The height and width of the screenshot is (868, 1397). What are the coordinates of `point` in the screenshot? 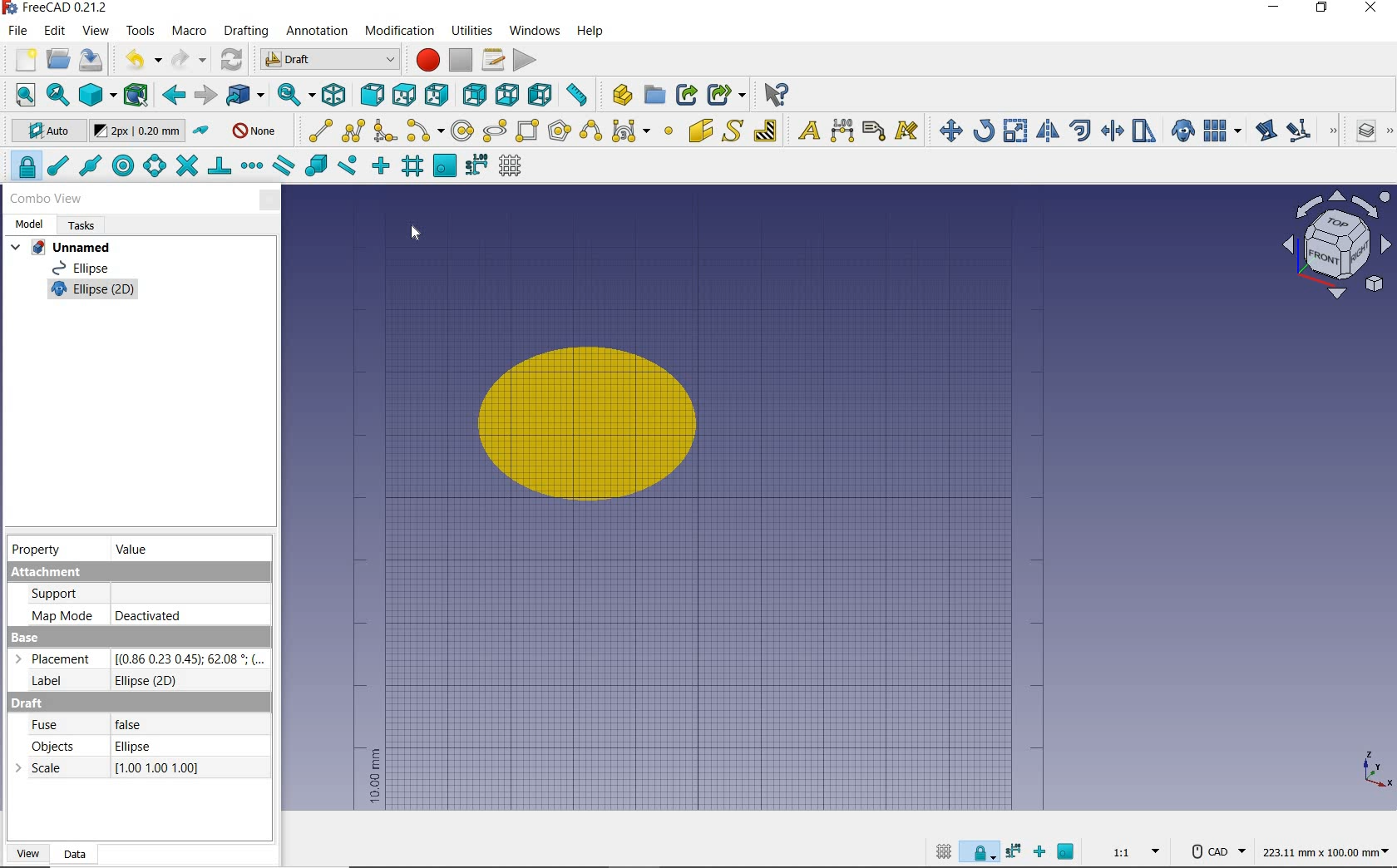 It's located at (669, 131).